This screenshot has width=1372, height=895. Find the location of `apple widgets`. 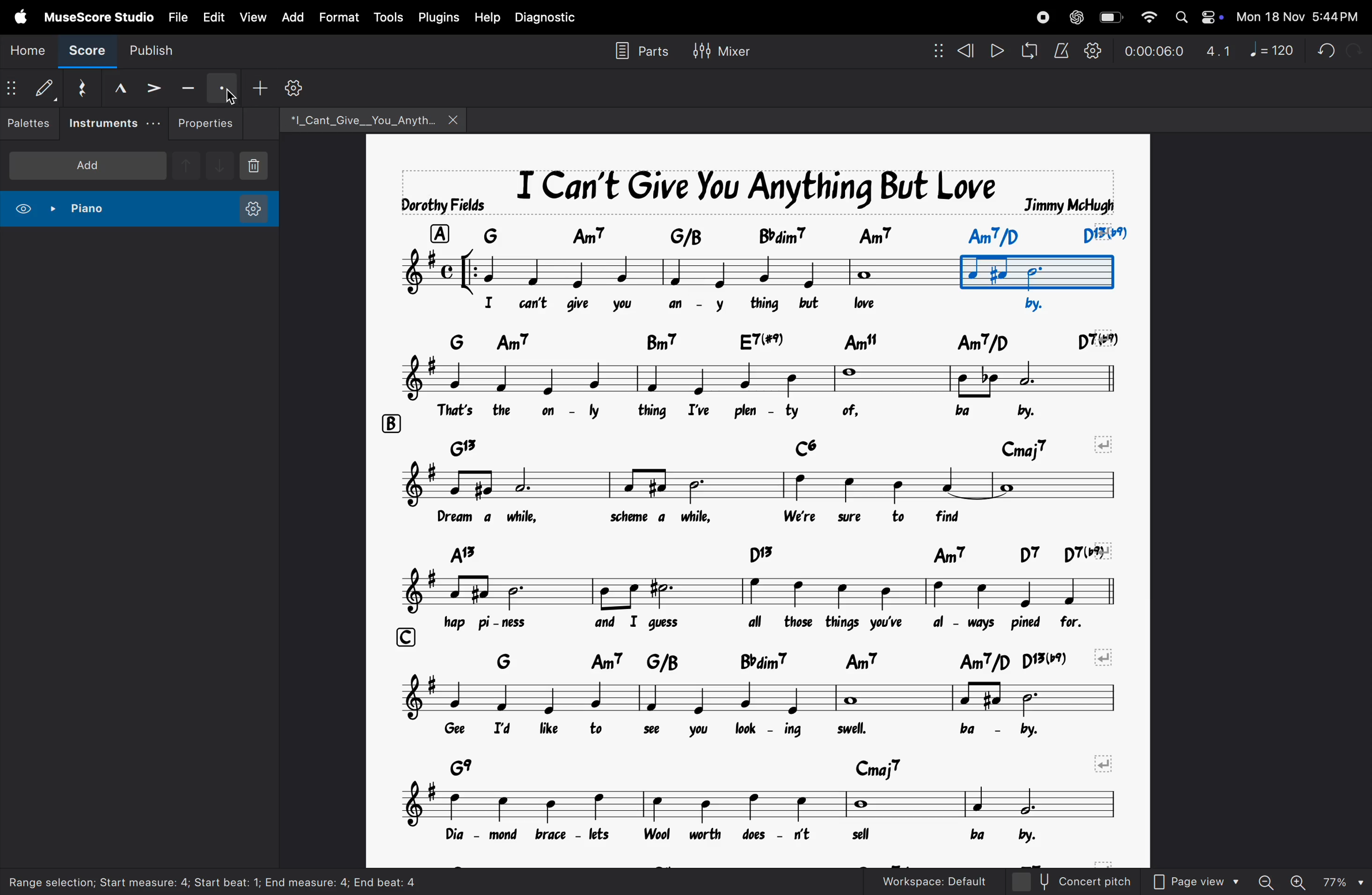

apple widgets is located at coordinates (1196, 17).